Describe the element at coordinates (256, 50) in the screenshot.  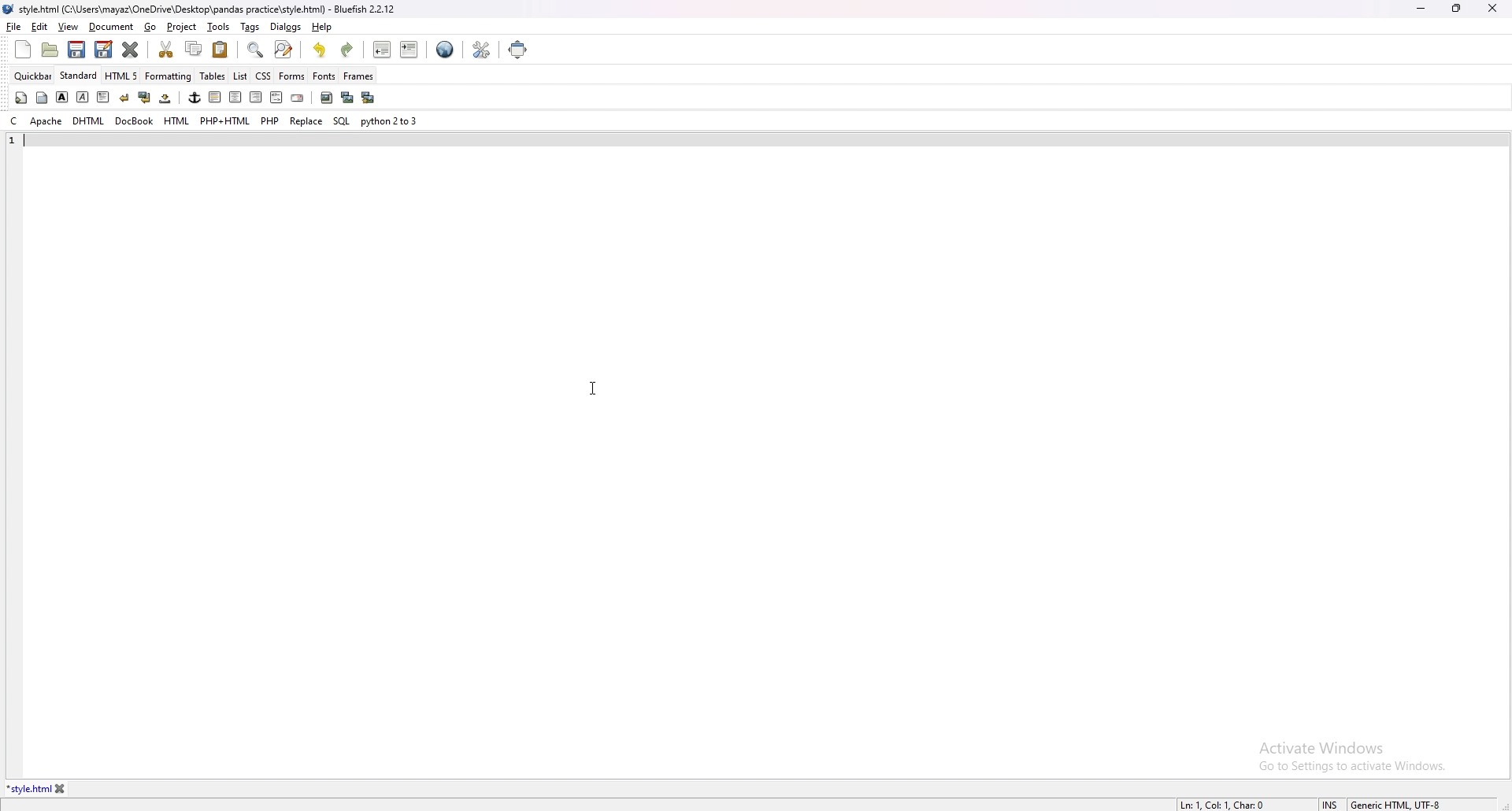
I see `find bar` at that location.